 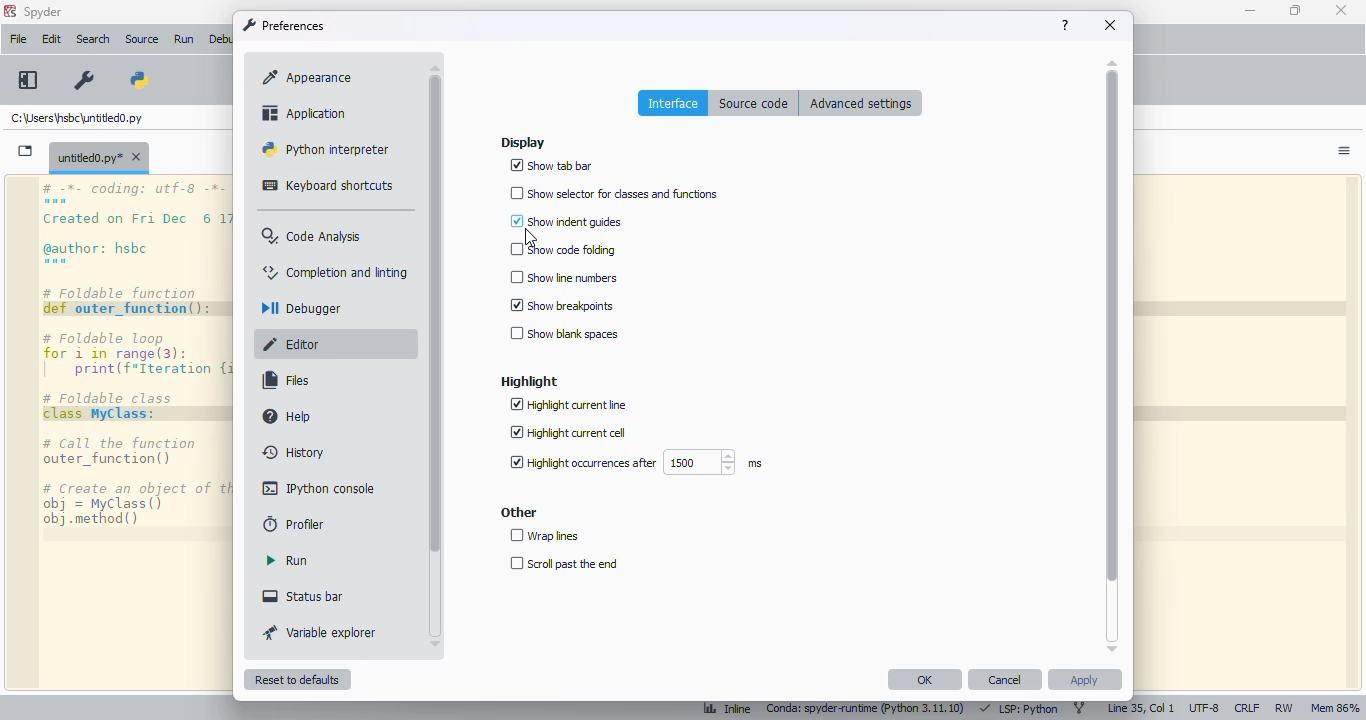 I want to click on show tab bar, so click(x=552, y=166).